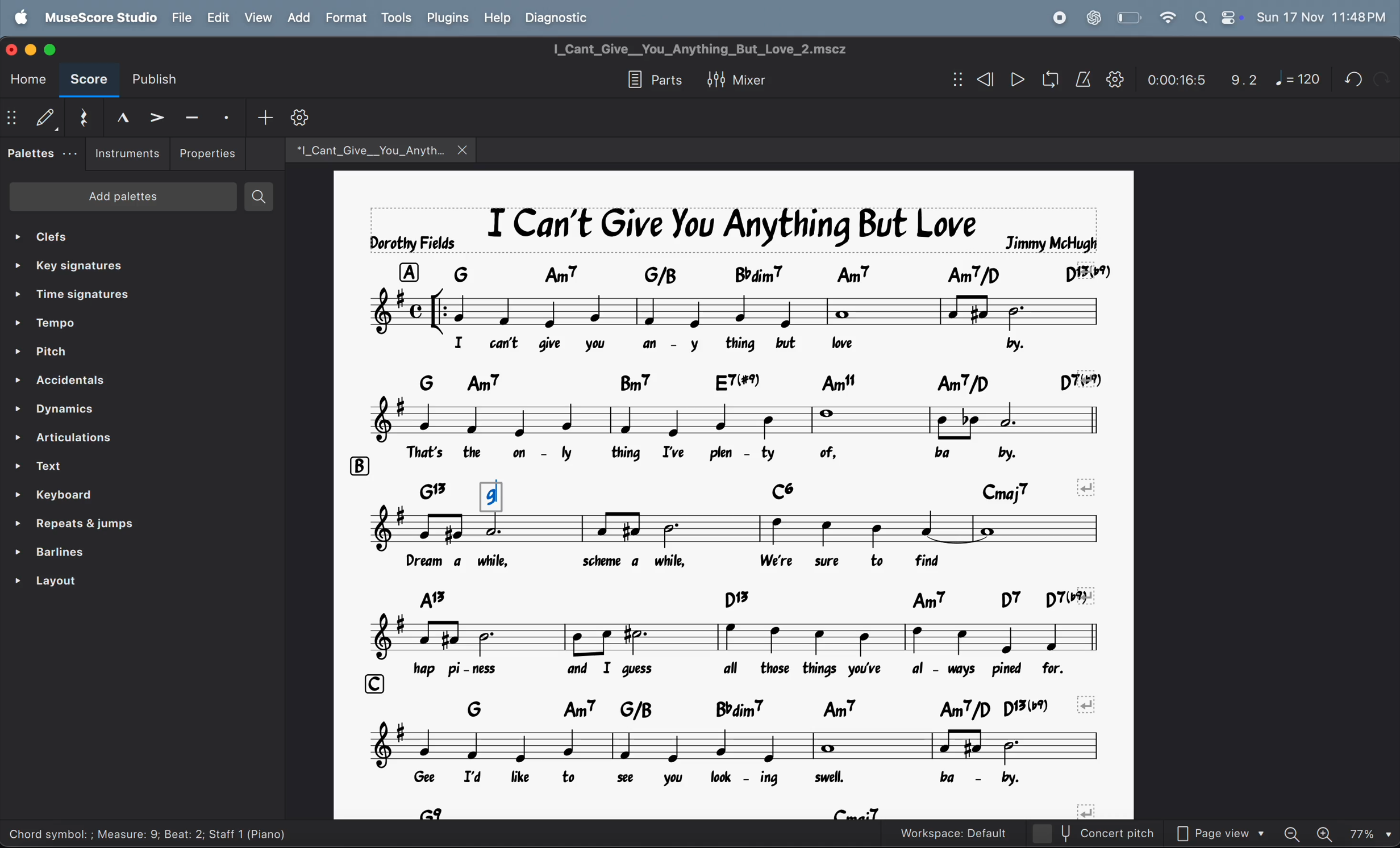  Describe the element at coordinates (34, 119) in the screenshot. I see `default` at that location.